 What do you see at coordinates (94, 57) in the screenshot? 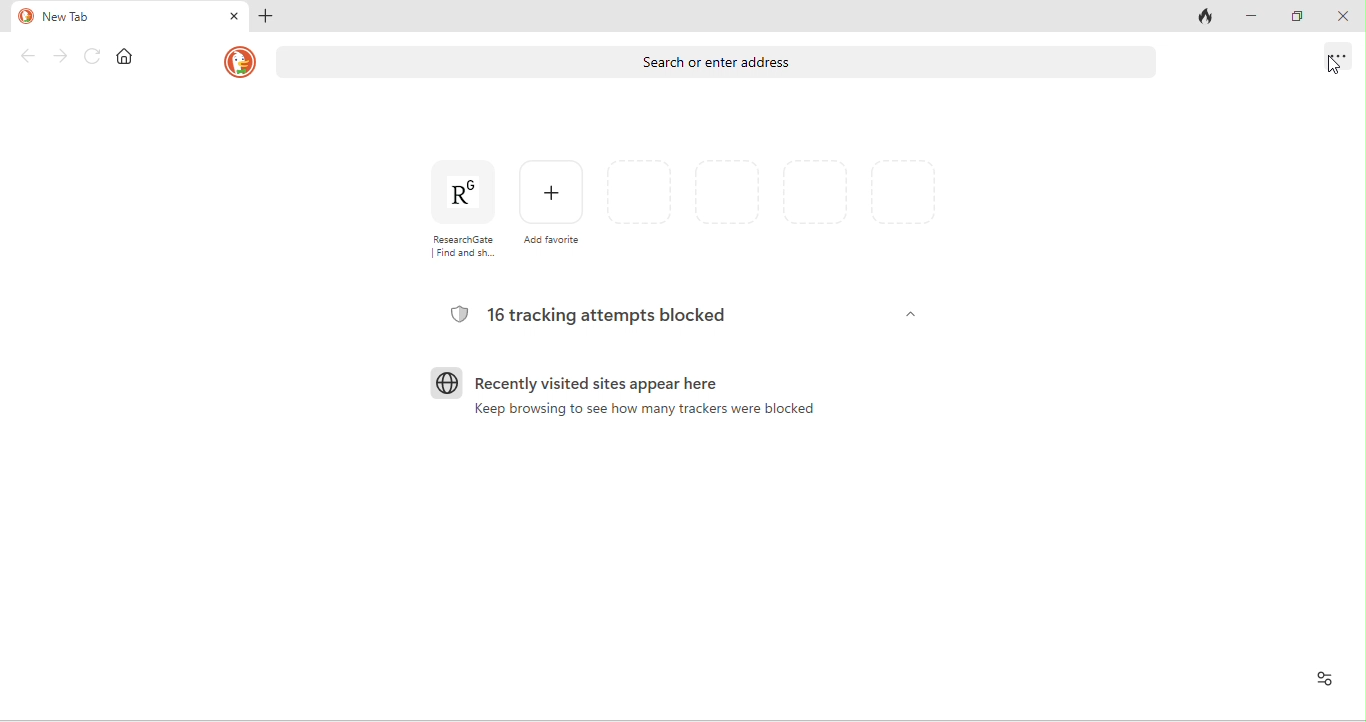
I see `reload` at bounding box center [94, 57].